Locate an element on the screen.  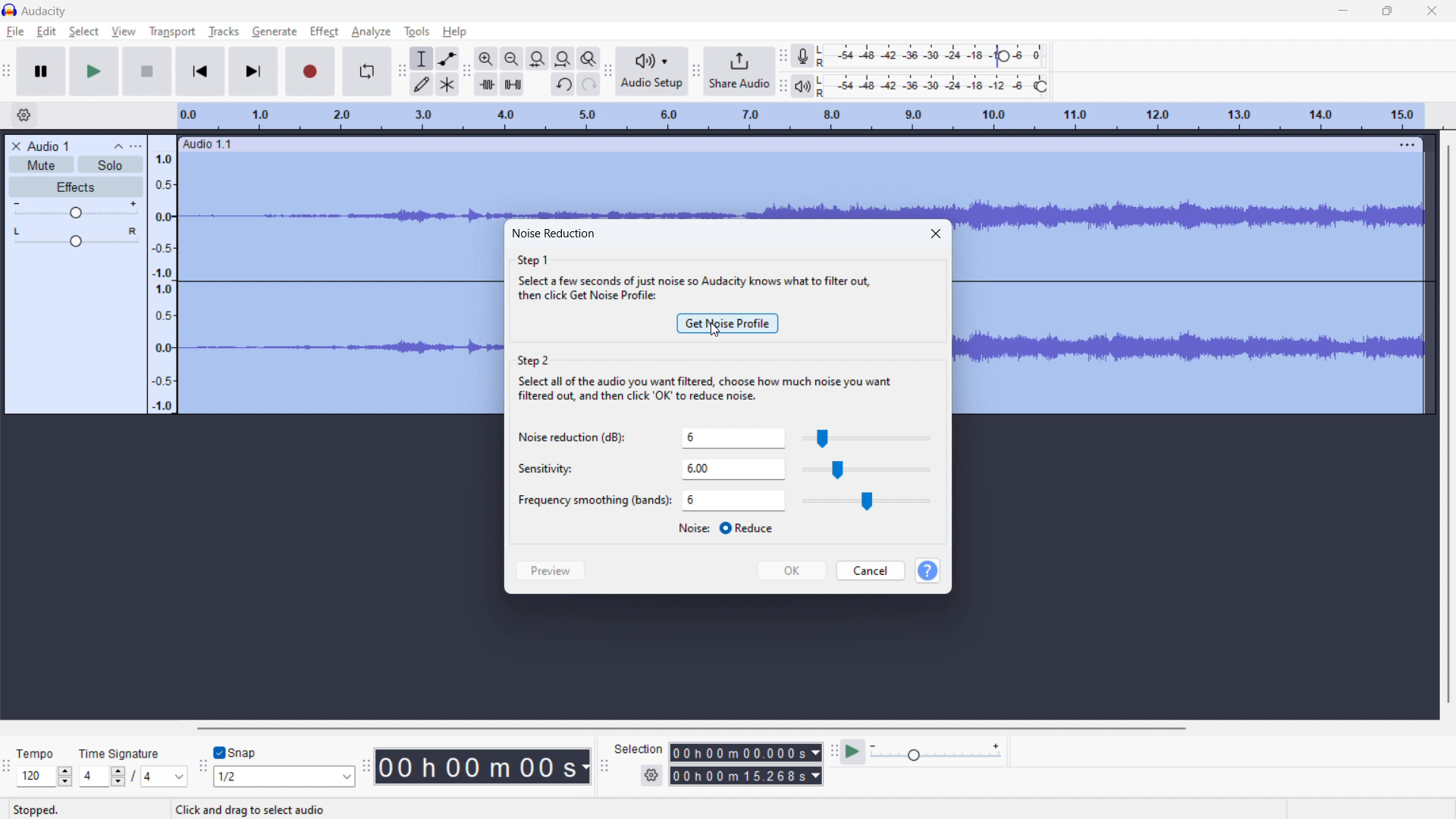
snapping toolbar is located at coordinates (203, 764).